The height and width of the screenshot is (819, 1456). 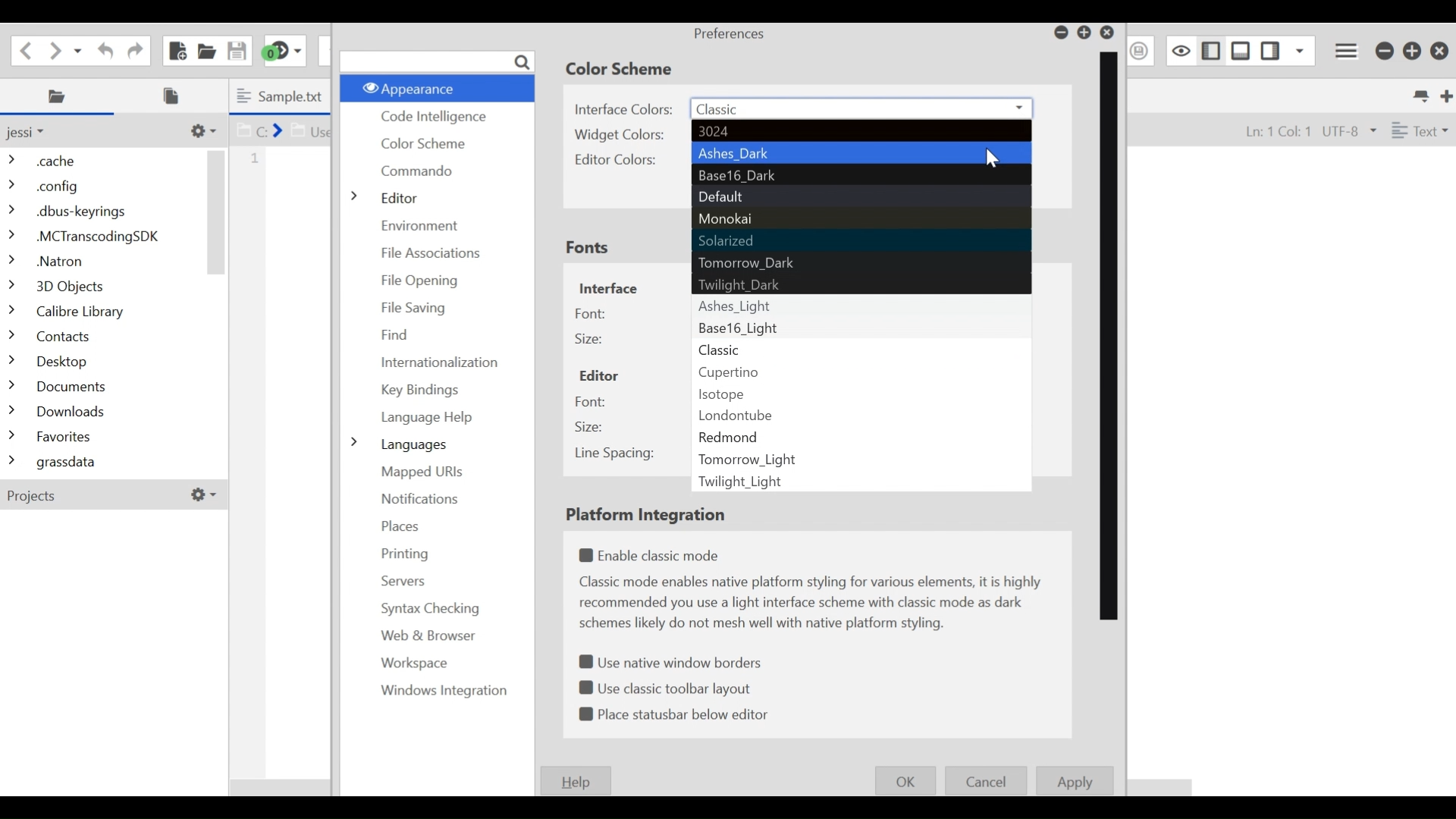 I want to click on (un)select Enable classic mode, so click(x=654, y=556).